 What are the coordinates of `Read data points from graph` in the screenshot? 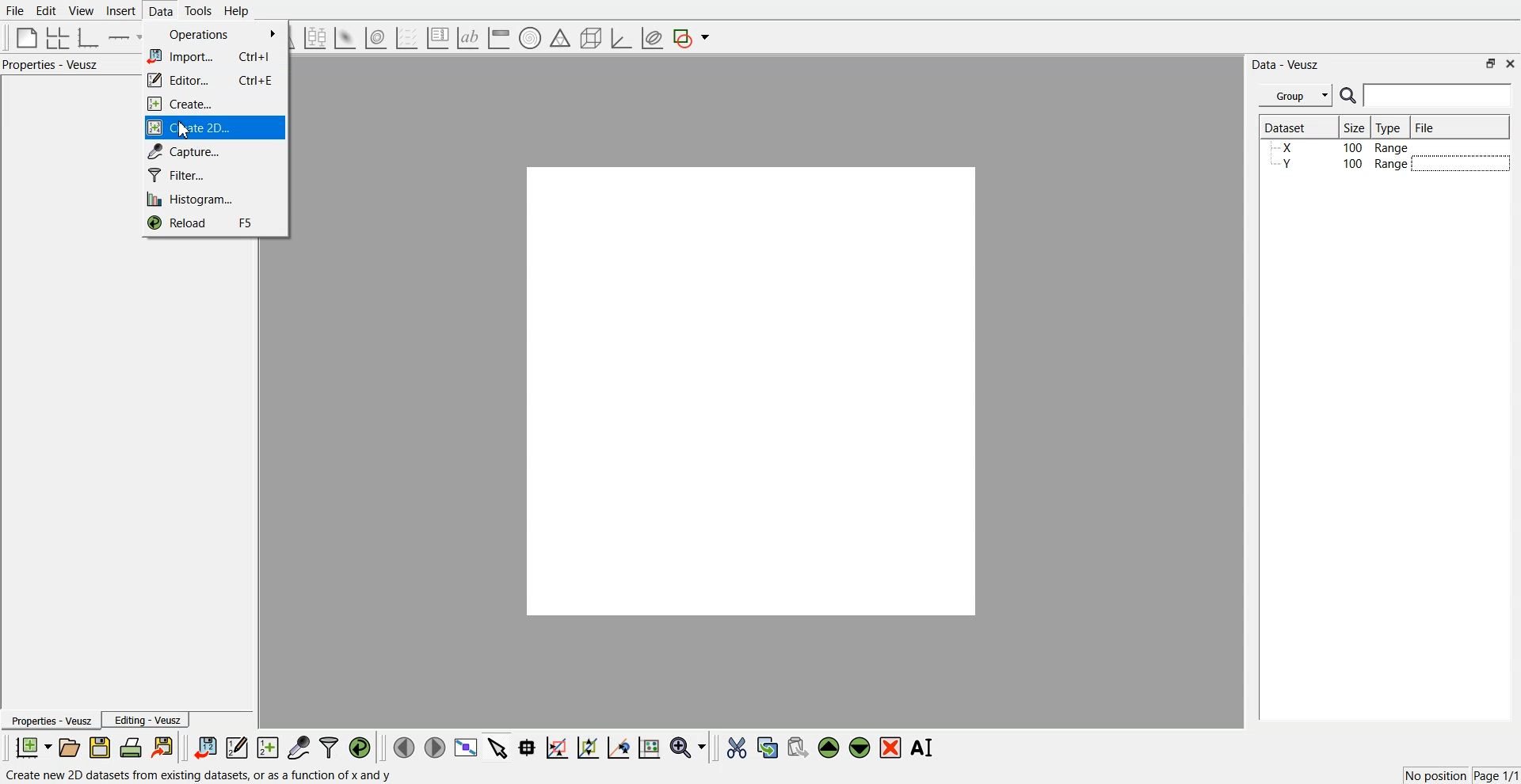 It's located at (528, 747).